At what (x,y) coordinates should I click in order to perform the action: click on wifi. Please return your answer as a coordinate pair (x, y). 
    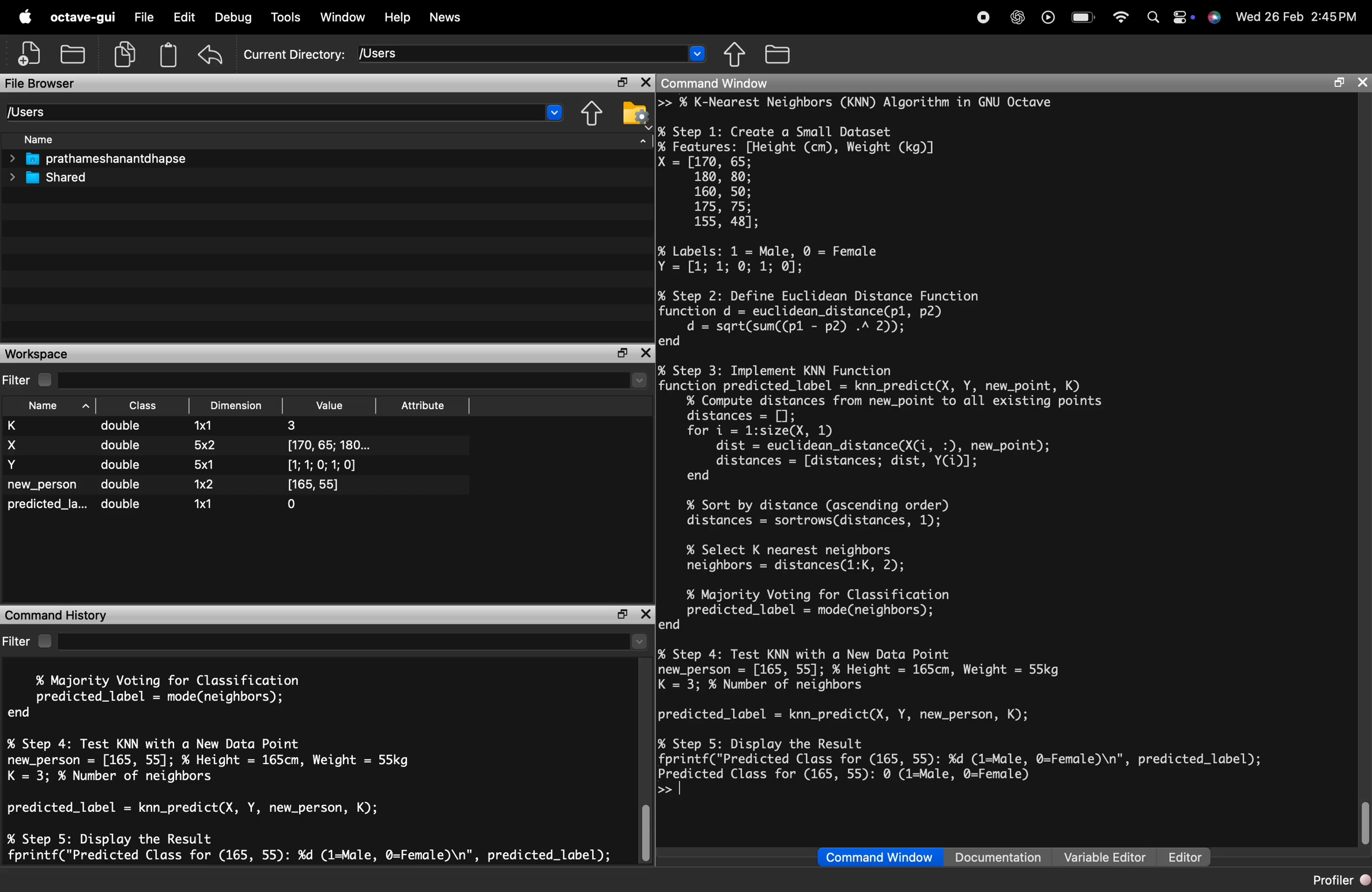
    Looking at the image, I should click on (1120, 13).